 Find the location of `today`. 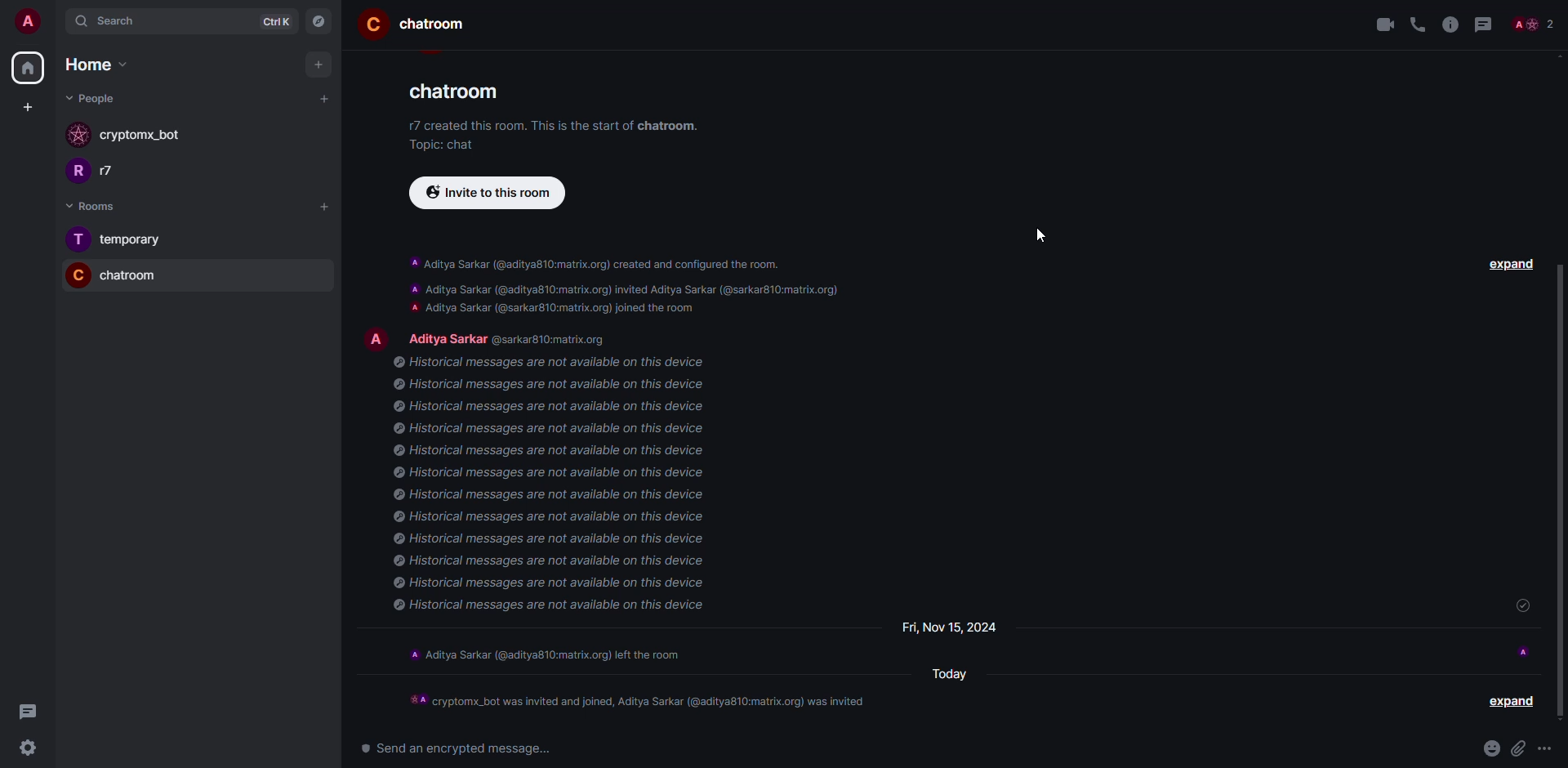

today is located at coordinates (951, 675).